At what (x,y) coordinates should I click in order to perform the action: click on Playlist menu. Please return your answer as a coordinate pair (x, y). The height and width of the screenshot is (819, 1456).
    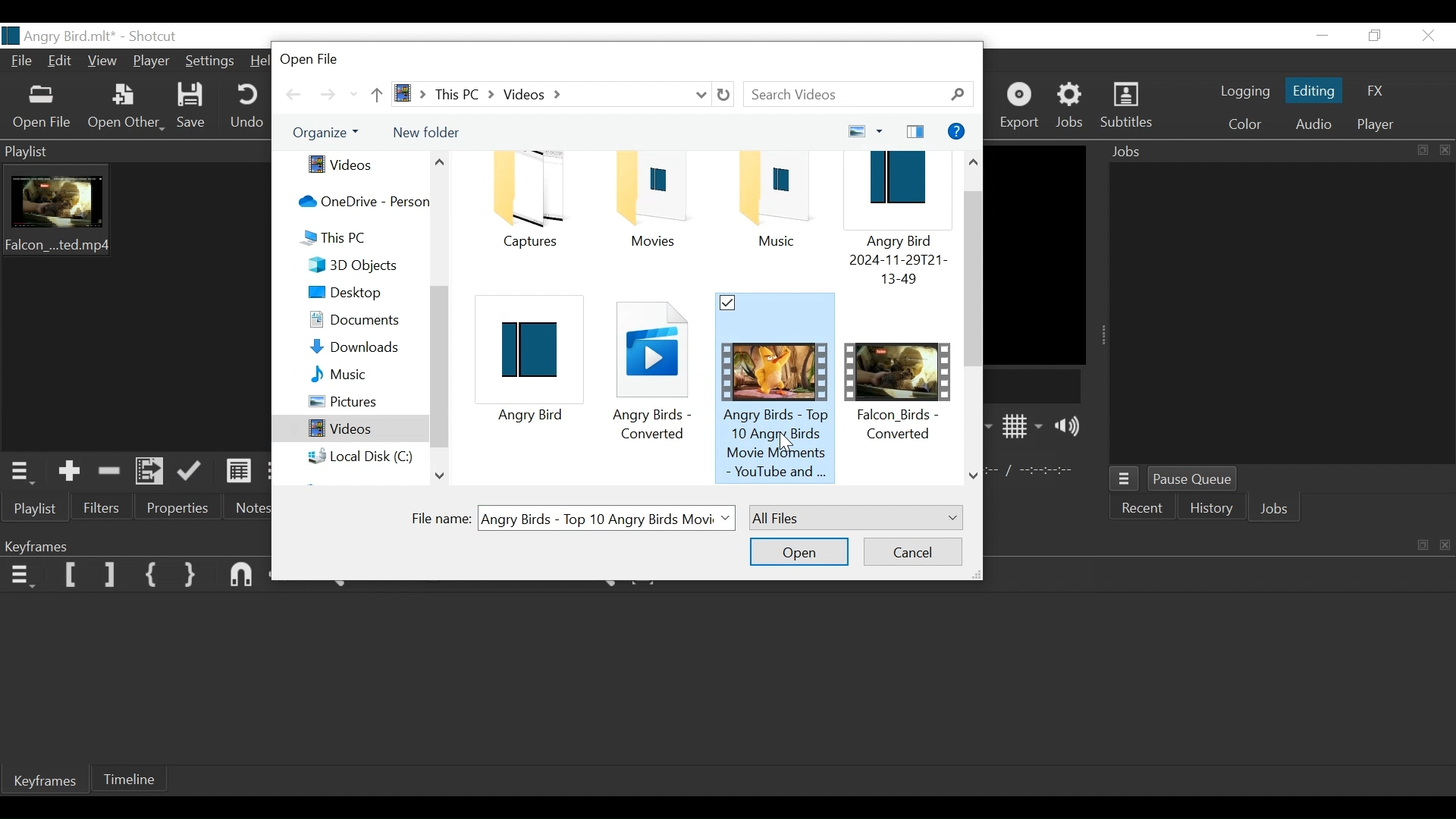
    Looking at the image, I should click on (86, 153).